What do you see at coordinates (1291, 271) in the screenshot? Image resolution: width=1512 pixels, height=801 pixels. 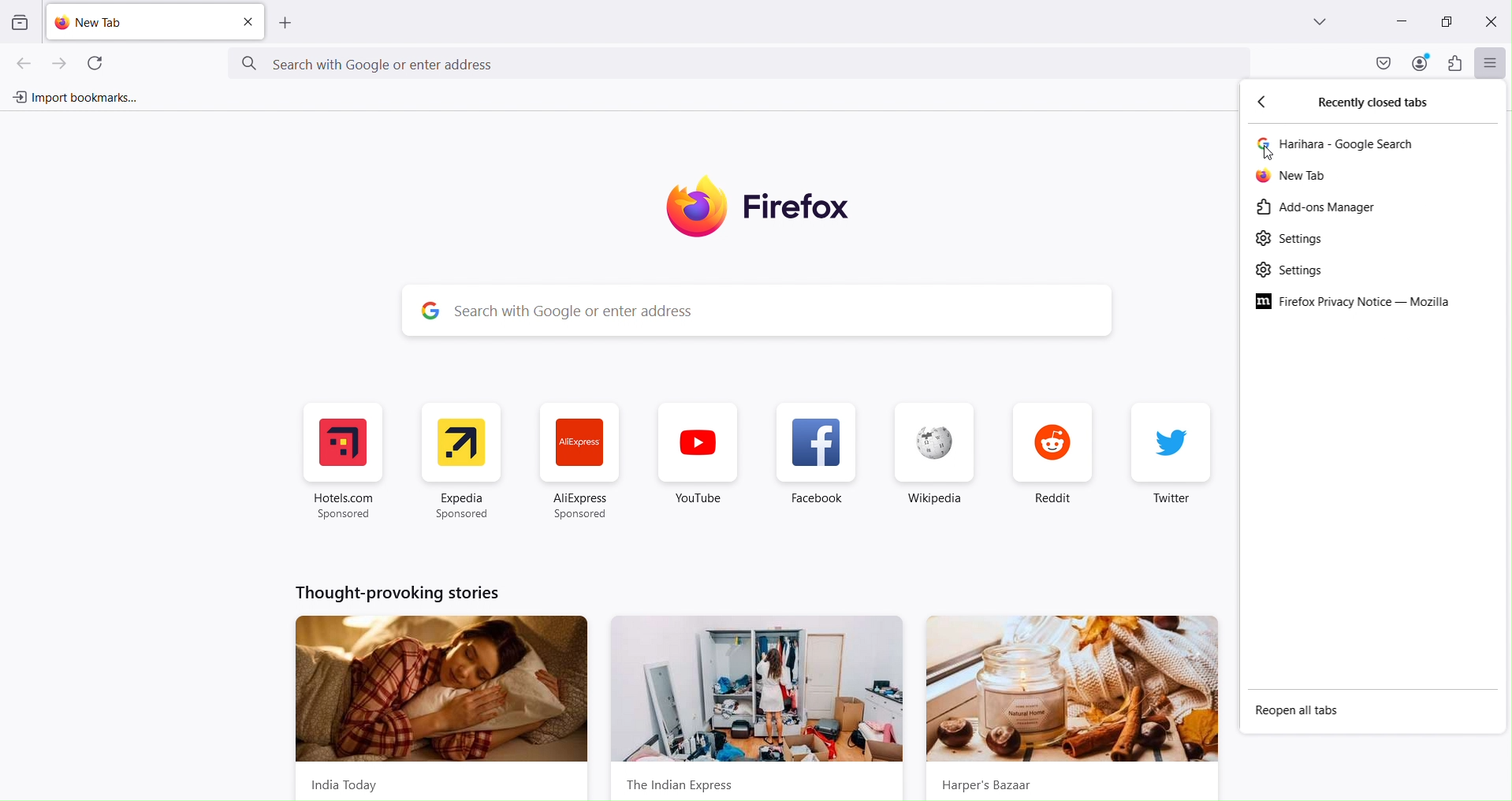 I see `Settings` at bounding box center [1291, 271].